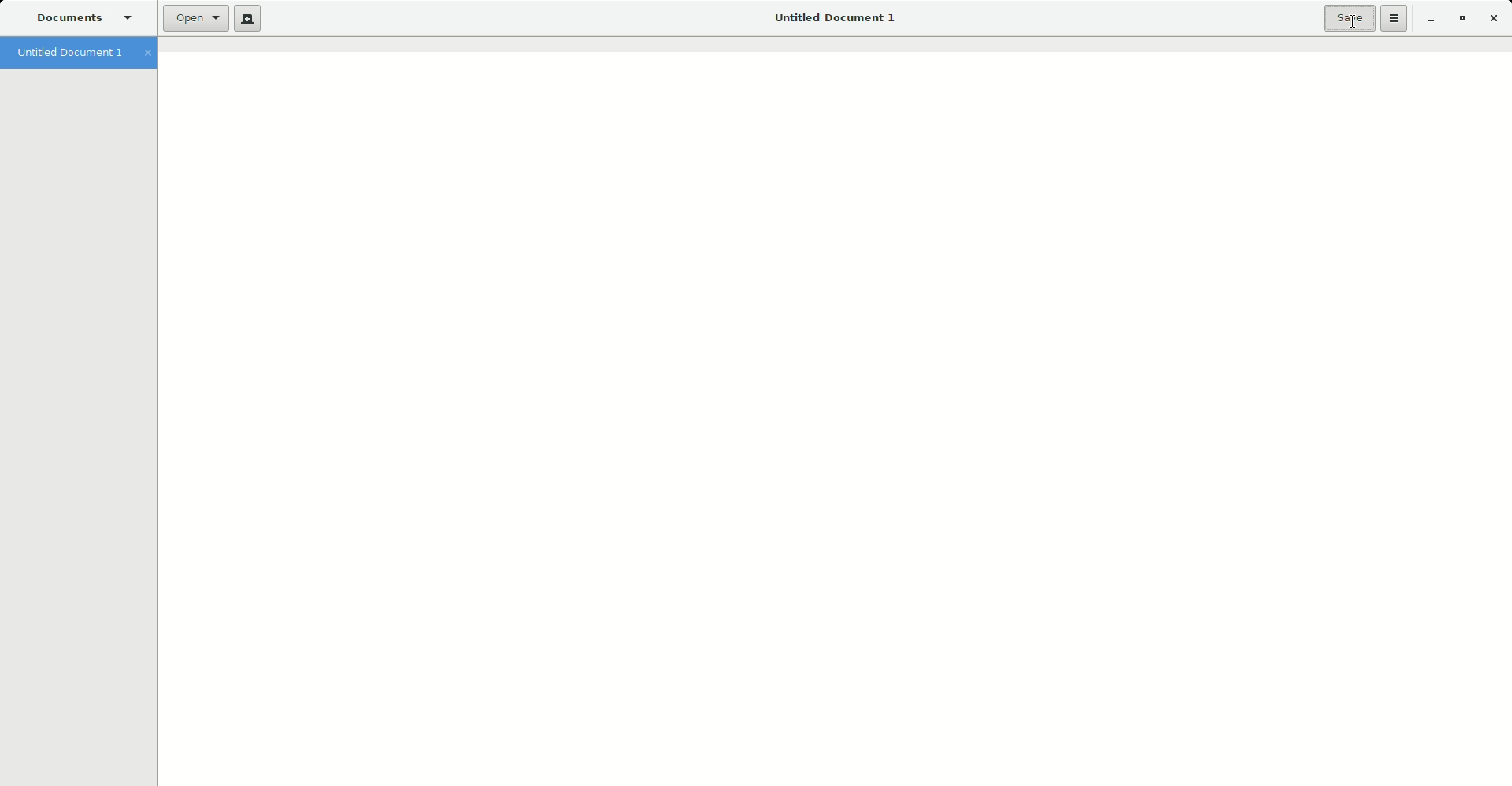  I want to click on Options, so click(1394, 18).